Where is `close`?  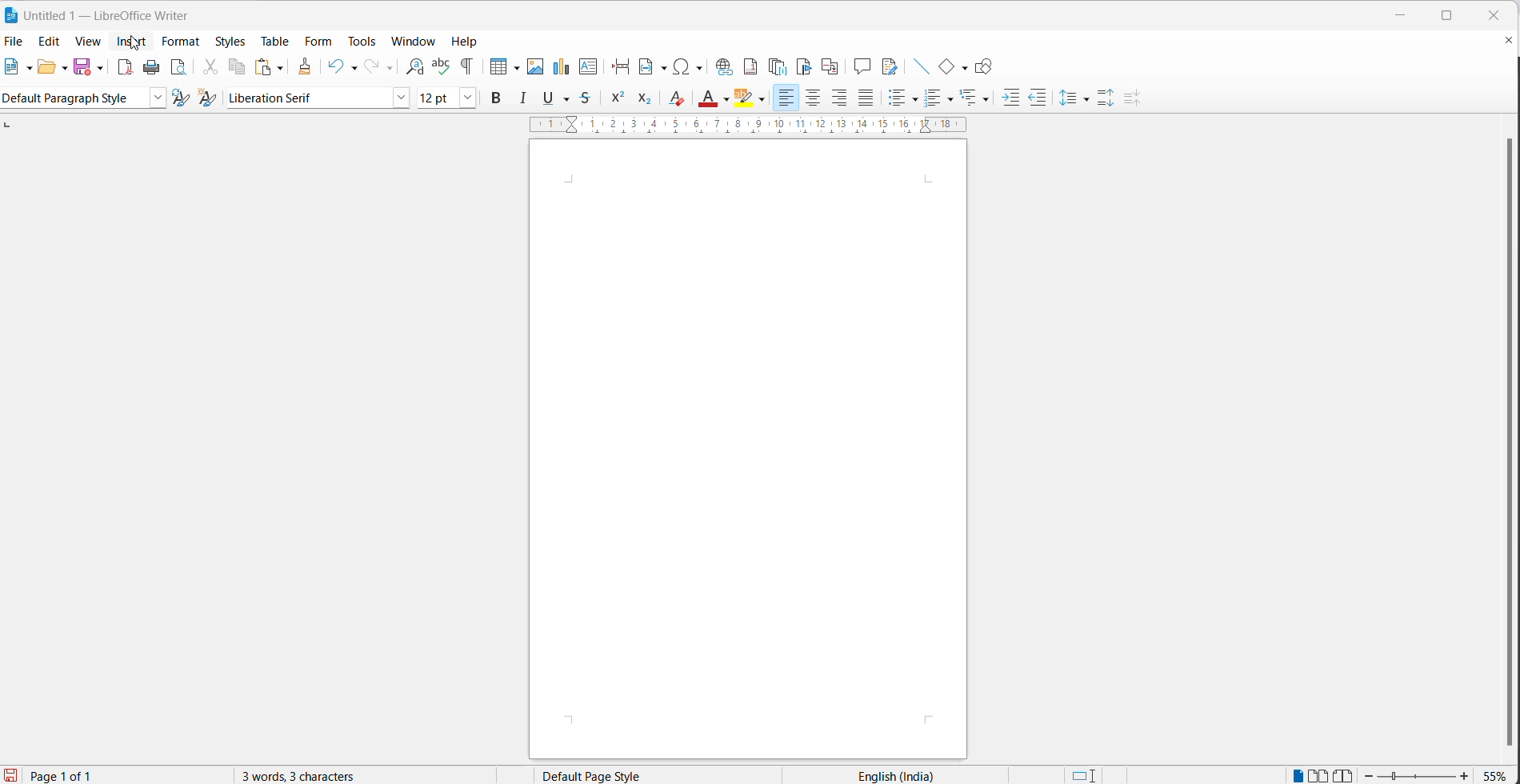 close is located at coordinates (1501, 40).